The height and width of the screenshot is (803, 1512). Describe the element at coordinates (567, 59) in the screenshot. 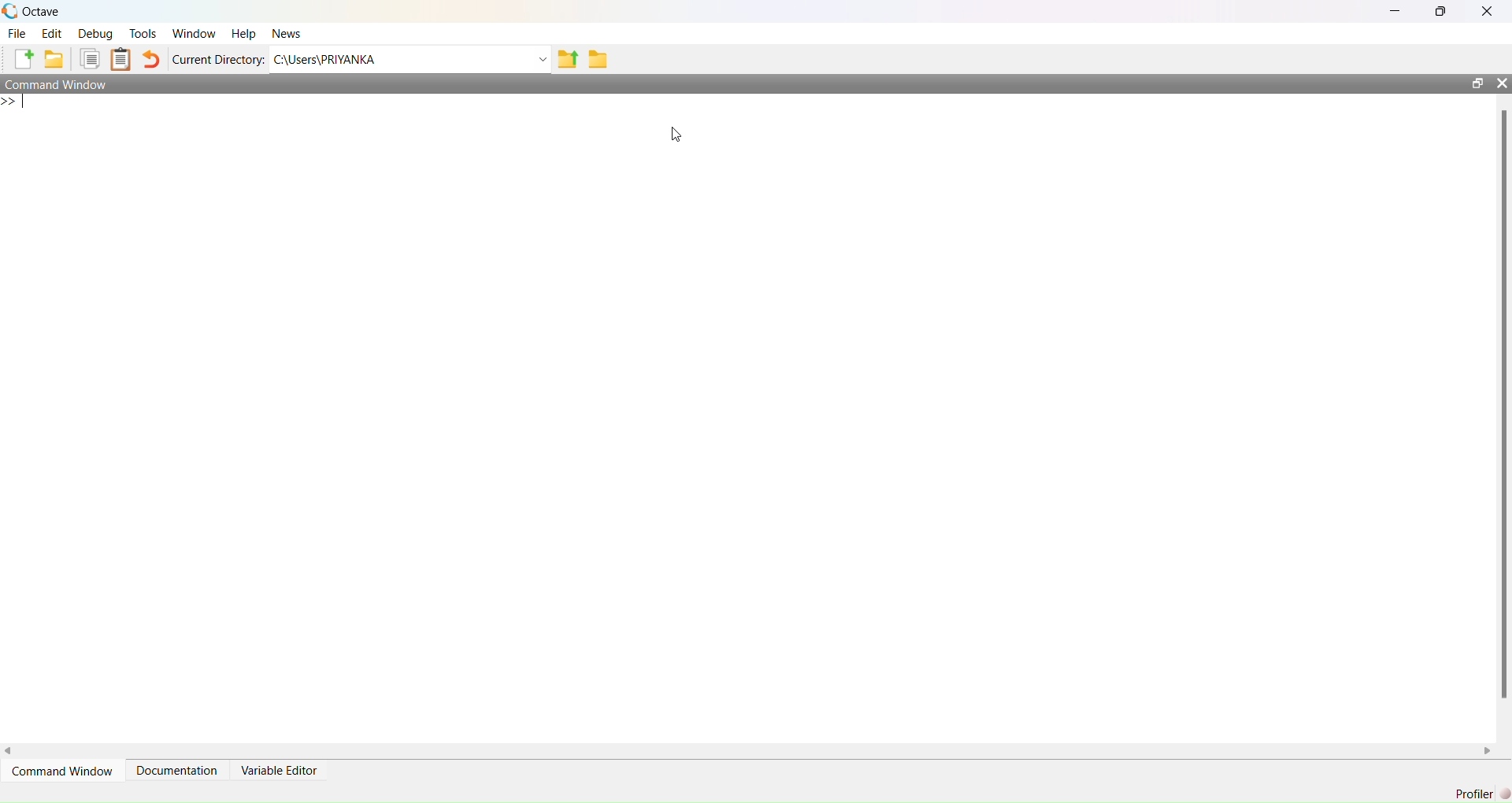

I see `share folder` at that location.